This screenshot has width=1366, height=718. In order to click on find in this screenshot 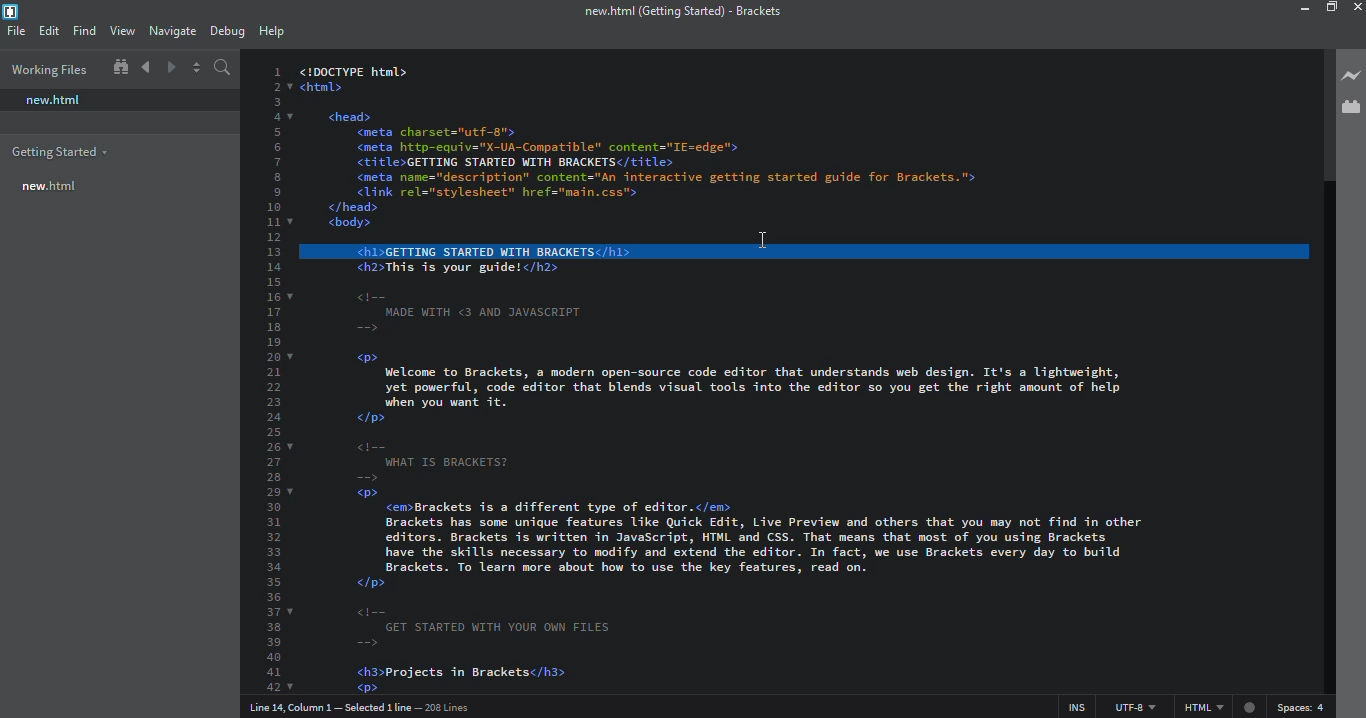, I will do `click(84, 31)`.